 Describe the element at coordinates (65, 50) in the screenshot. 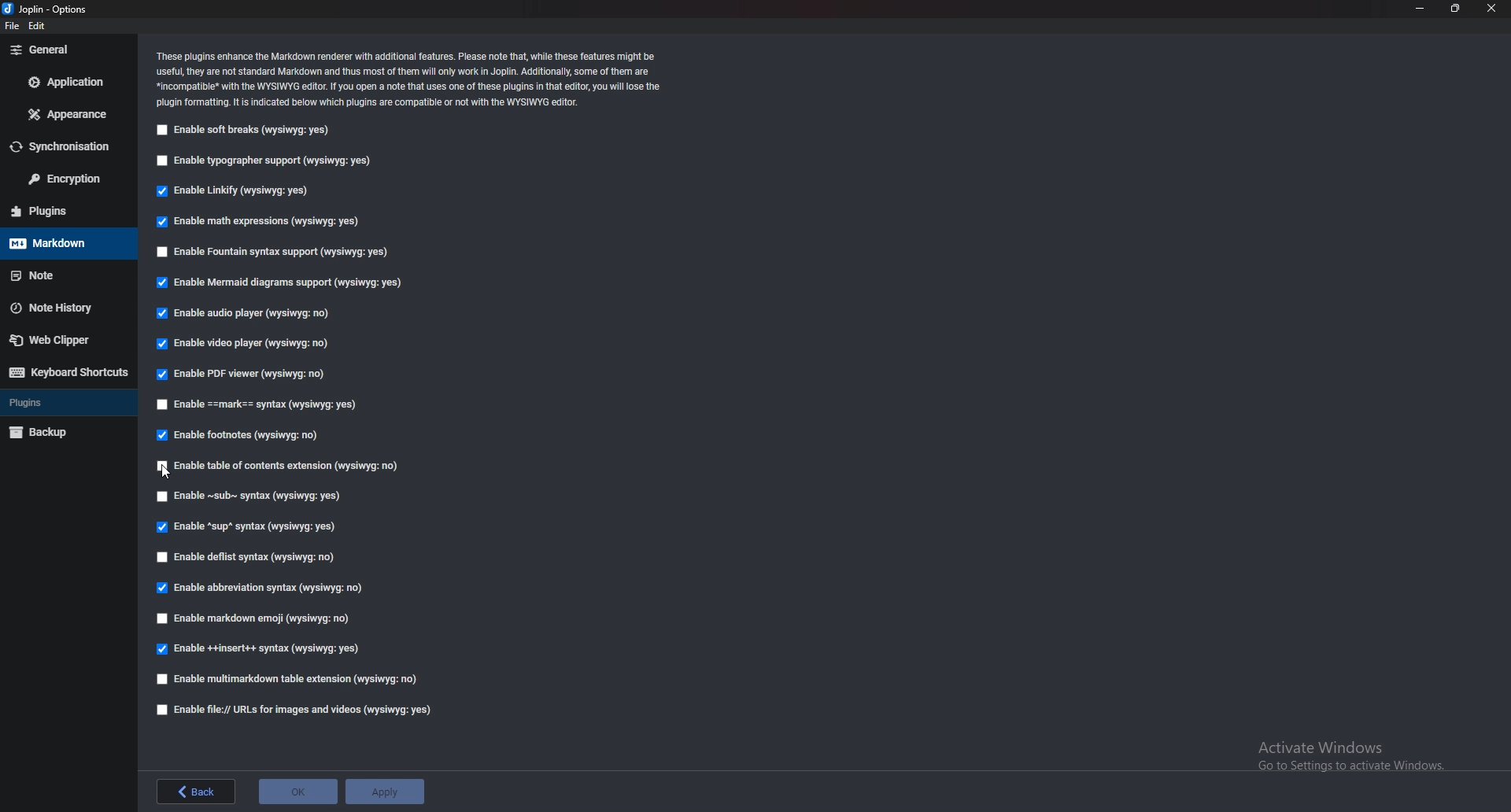

I see `general` at that location.